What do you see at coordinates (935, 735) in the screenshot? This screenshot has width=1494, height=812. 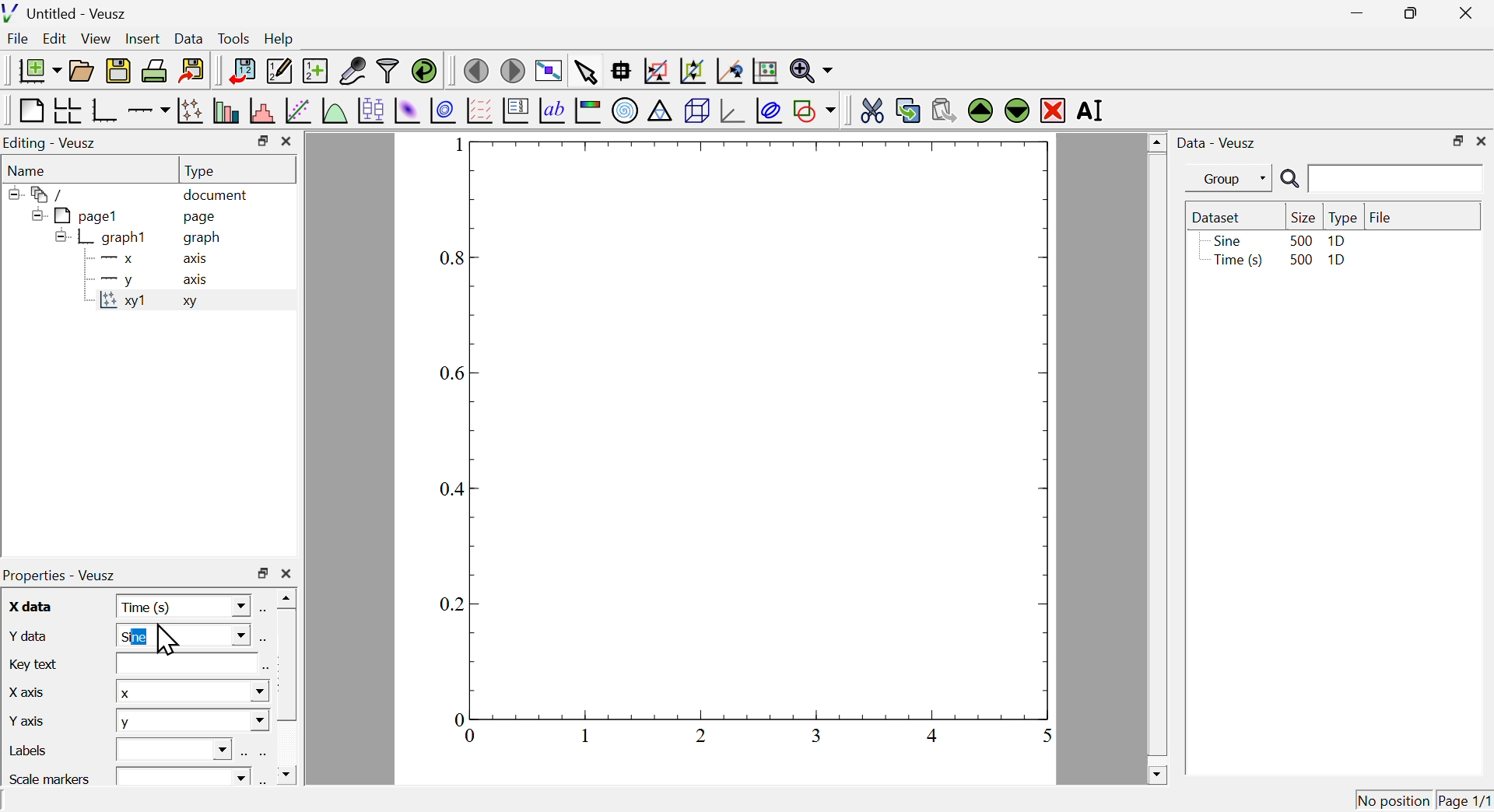 I see `0.8` at bounding box center [935, 735].